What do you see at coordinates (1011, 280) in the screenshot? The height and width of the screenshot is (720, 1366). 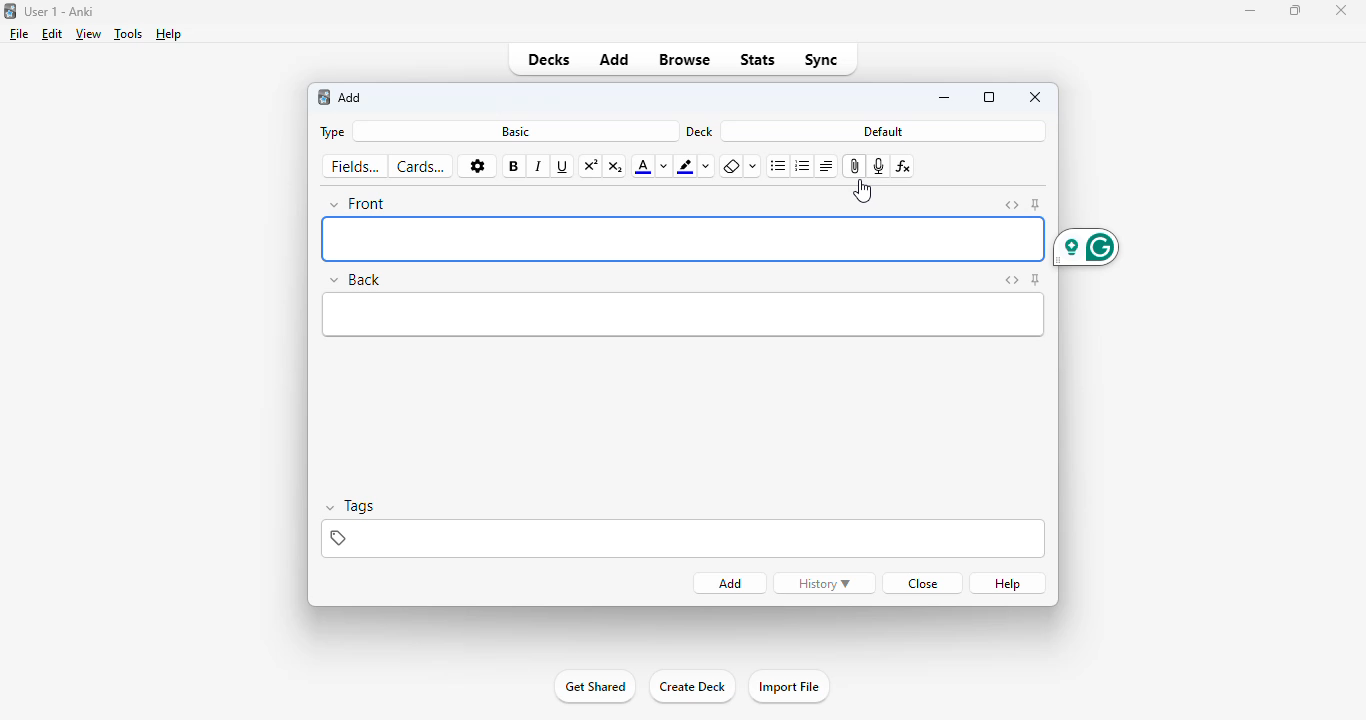 I see `toggle HTML editor` at bounding box center [1011, 280].